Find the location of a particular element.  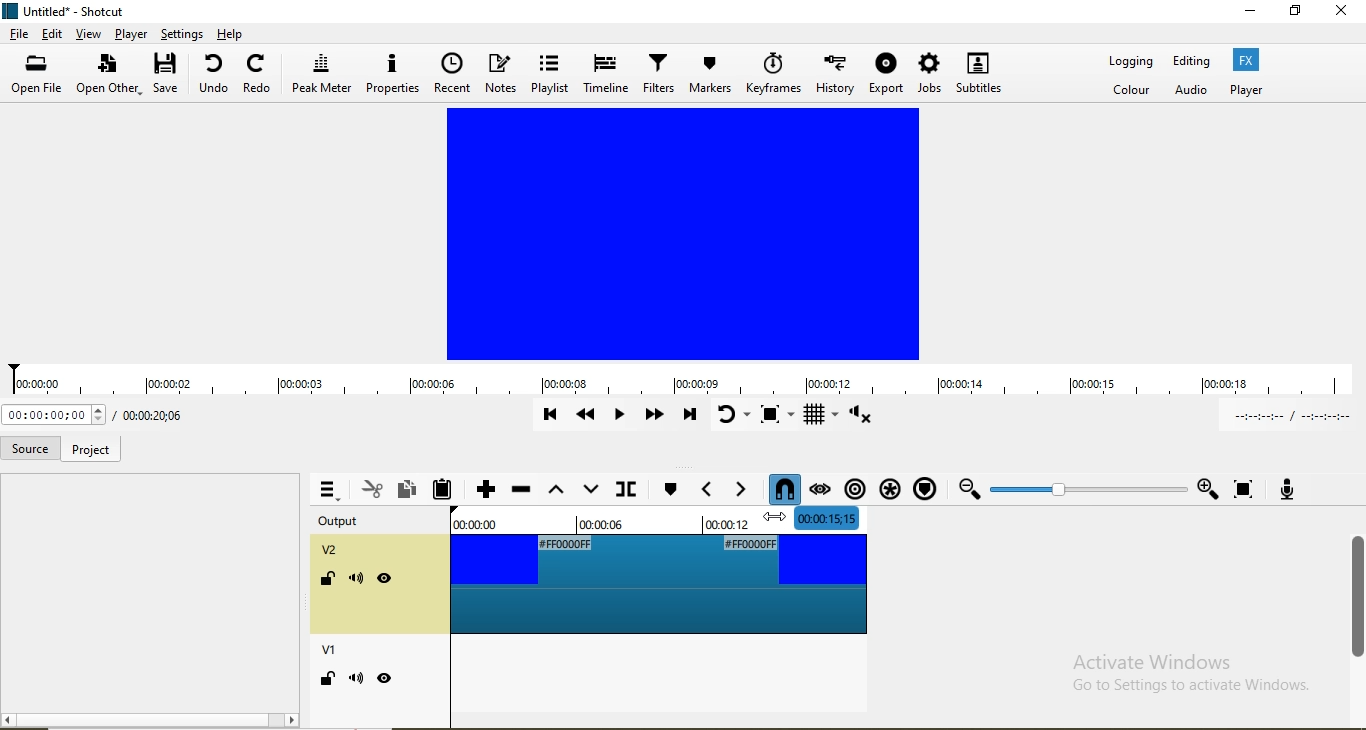

export is located at coordinates (887, 73).